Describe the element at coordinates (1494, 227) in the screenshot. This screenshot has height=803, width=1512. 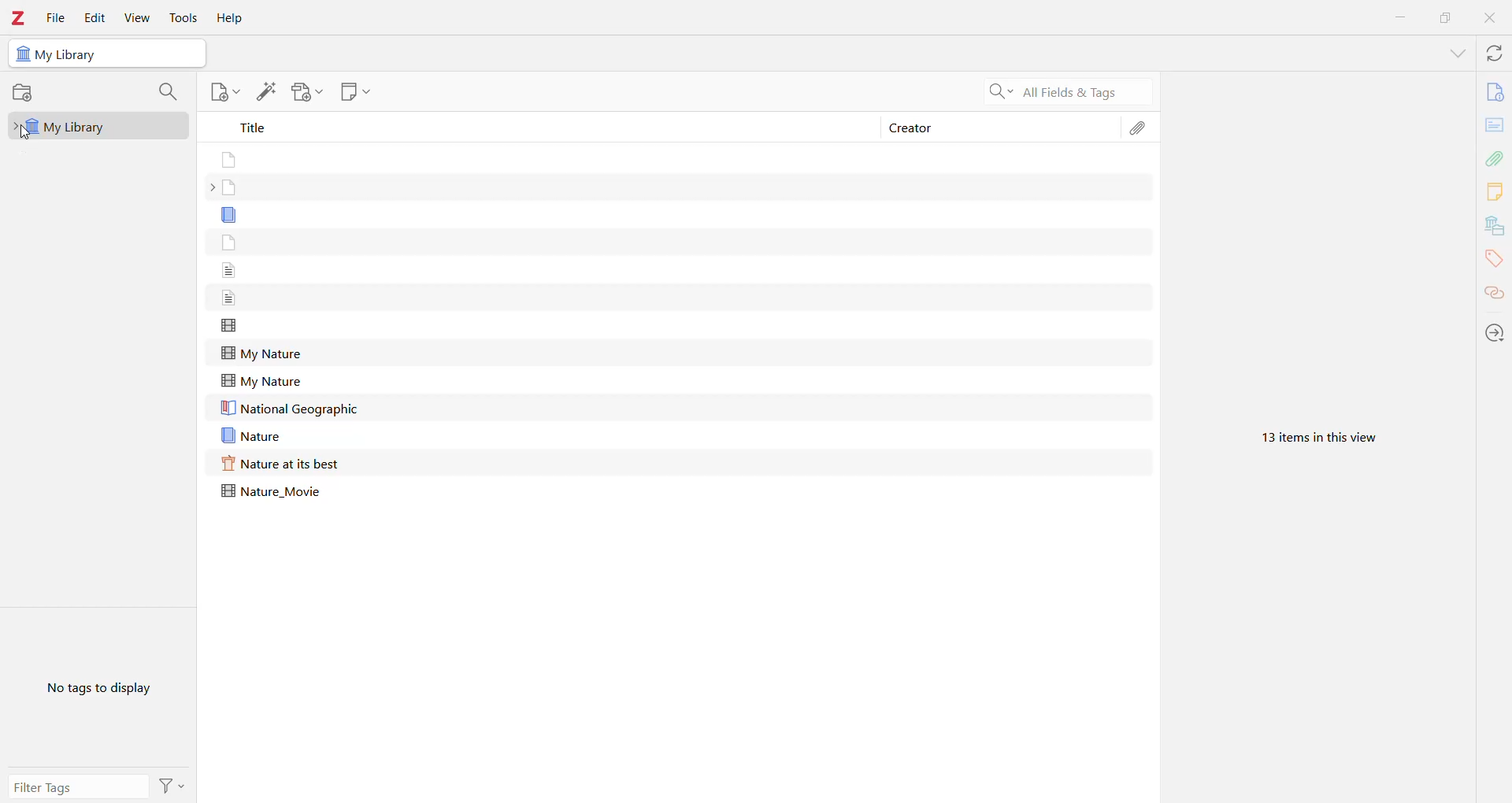
I see `Libraries and Collections` at that location.